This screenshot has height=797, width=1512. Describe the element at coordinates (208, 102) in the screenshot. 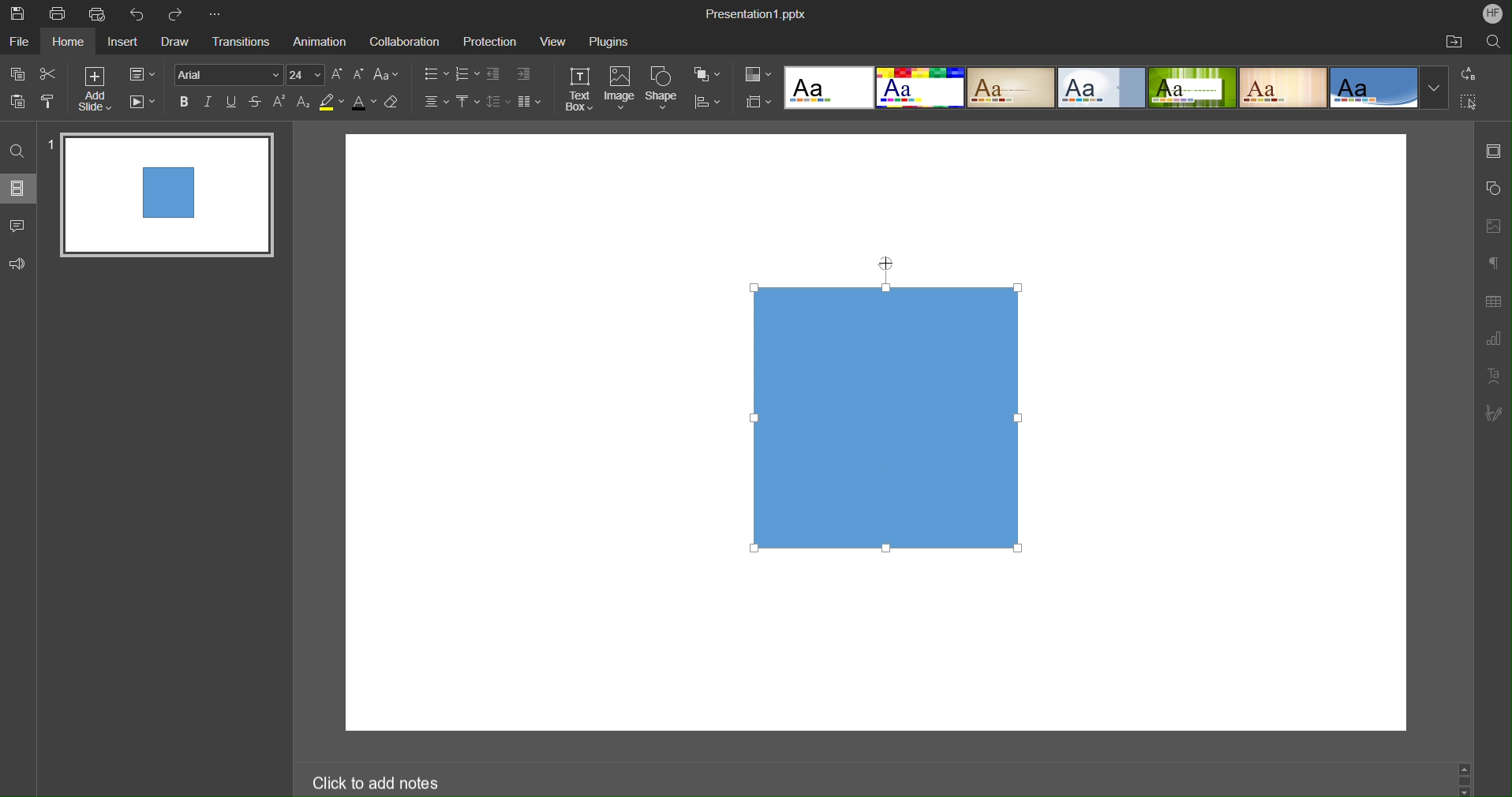

I see `Italics` at that location.